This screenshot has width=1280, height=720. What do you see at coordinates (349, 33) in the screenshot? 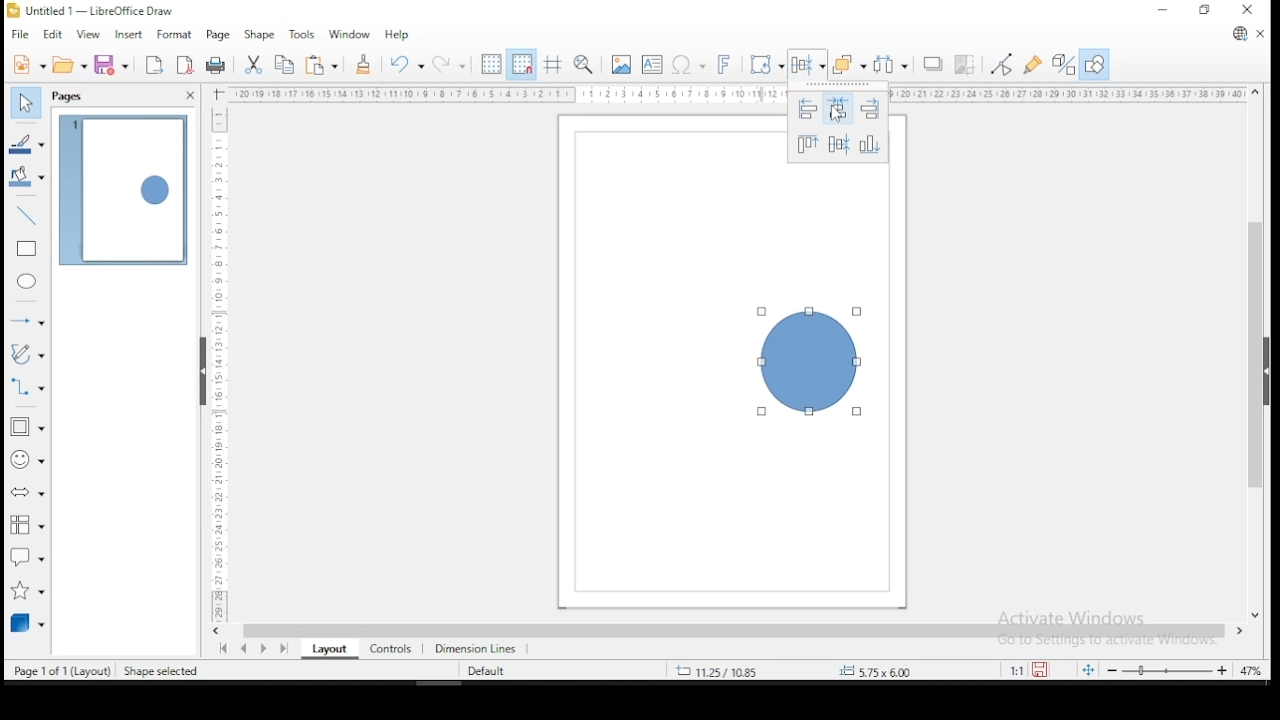
I see `window` at bounding box center [349, 33].